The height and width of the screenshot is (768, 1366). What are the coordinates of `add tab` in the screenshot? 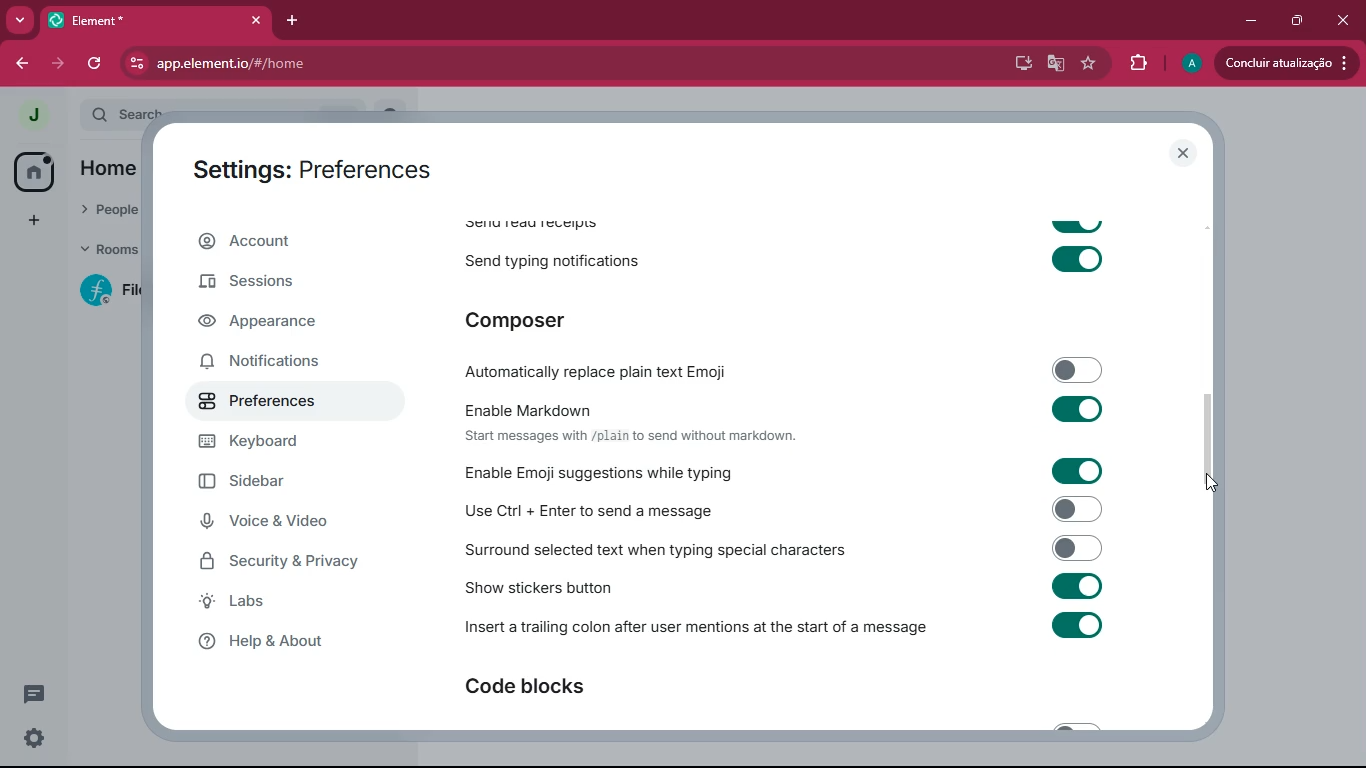 It's located at (288, 20).